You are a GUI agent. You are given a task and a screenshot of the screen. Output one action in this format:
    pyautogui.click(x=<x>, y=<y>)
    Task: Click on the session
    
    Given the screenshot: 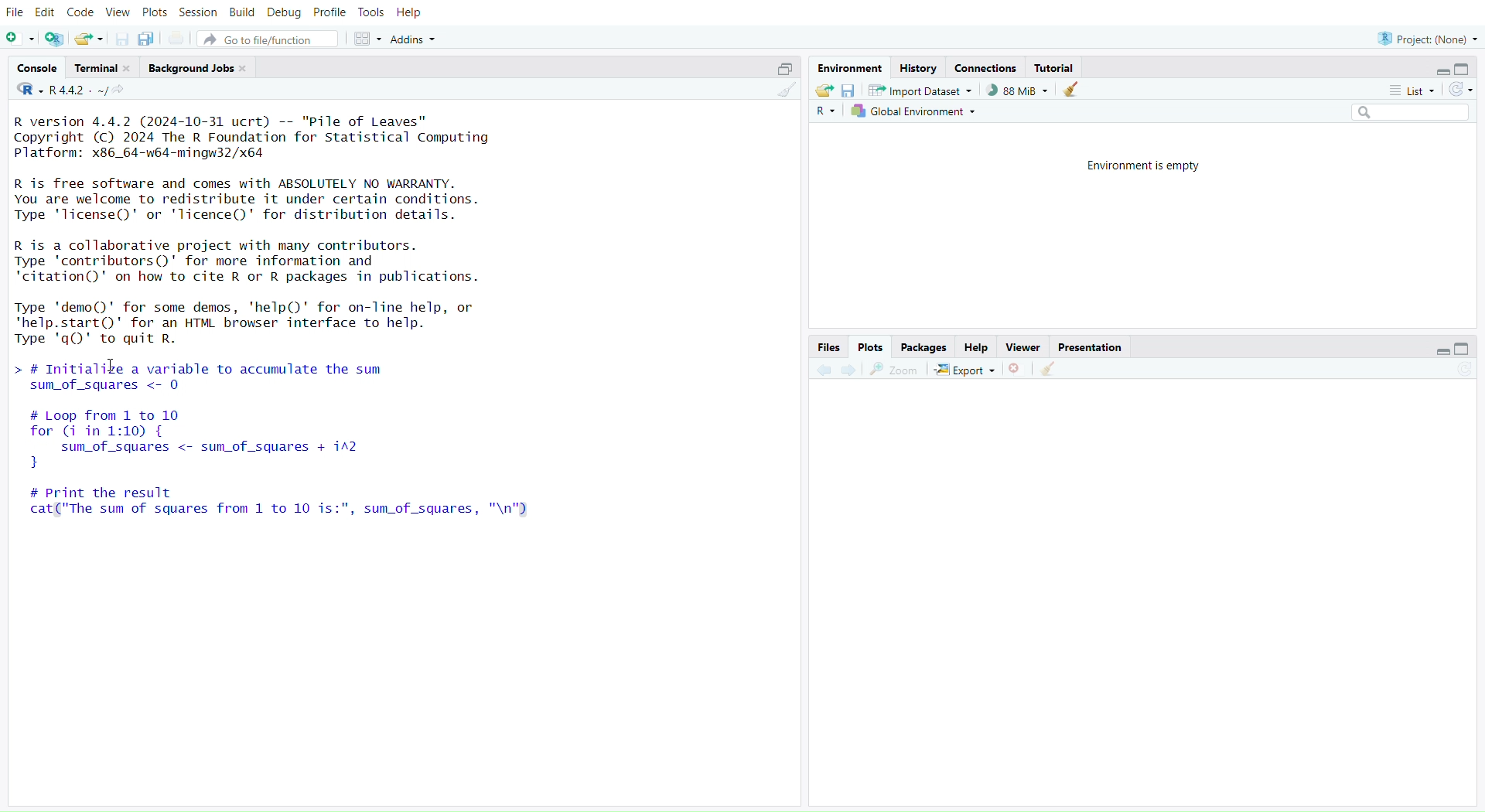 What is the action you would take?
    pyautogui.click(x=198, y=11)
    